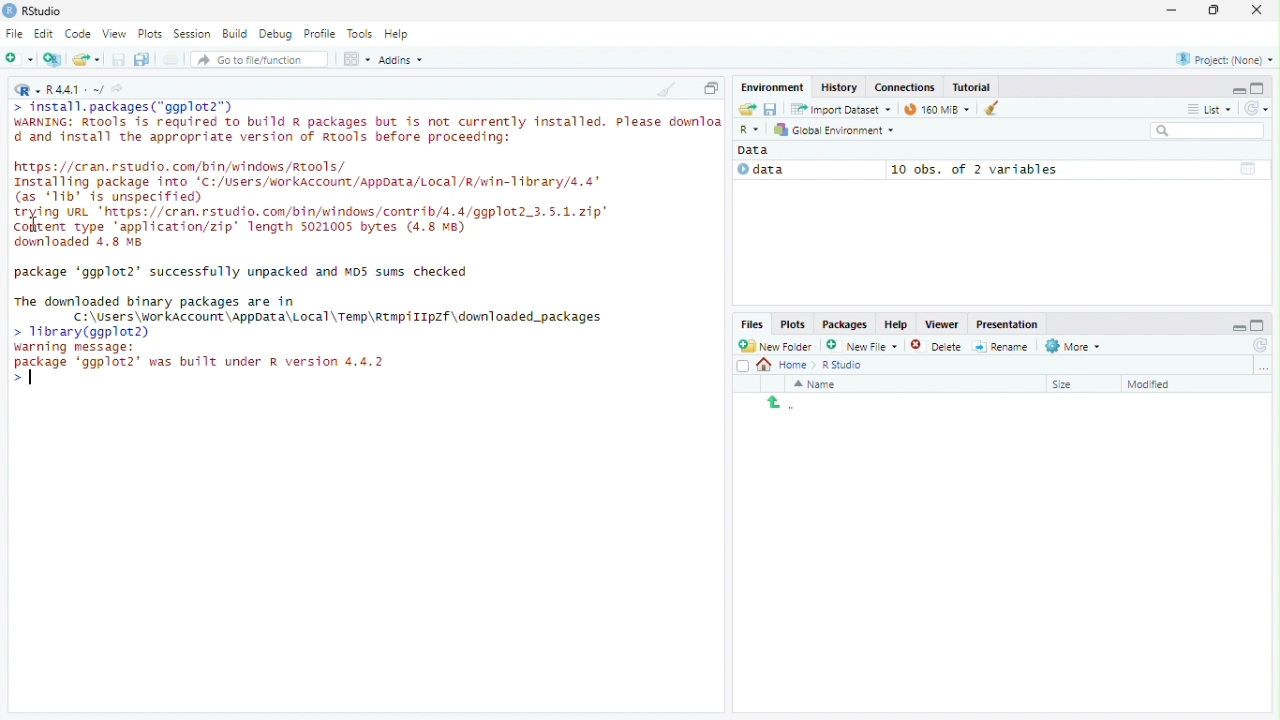 The image size is (1280, 720). I want to click on Current memory usage - 97MiB, so click(932, 109).